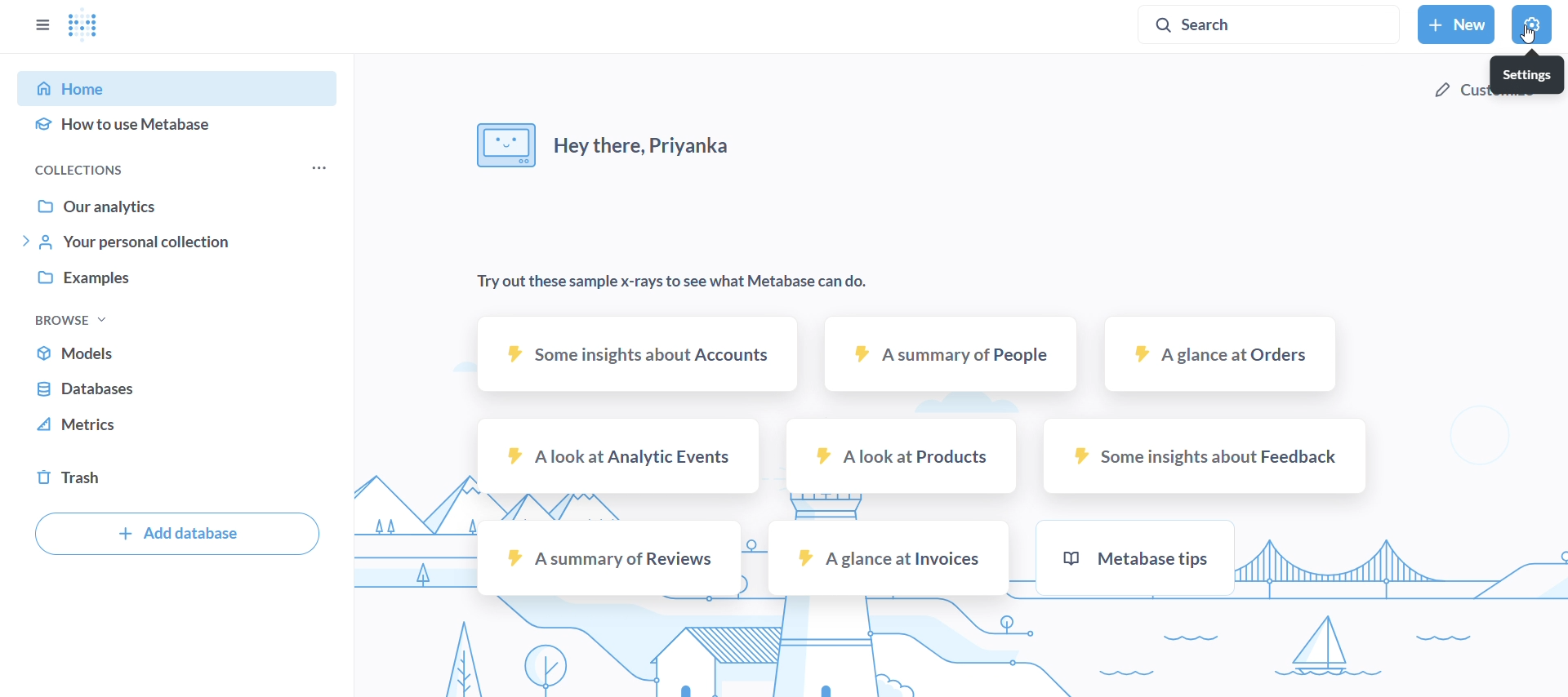 The width and height of the screenshot is (1568, 697). I want to click on a look at products, so click(900, 455).